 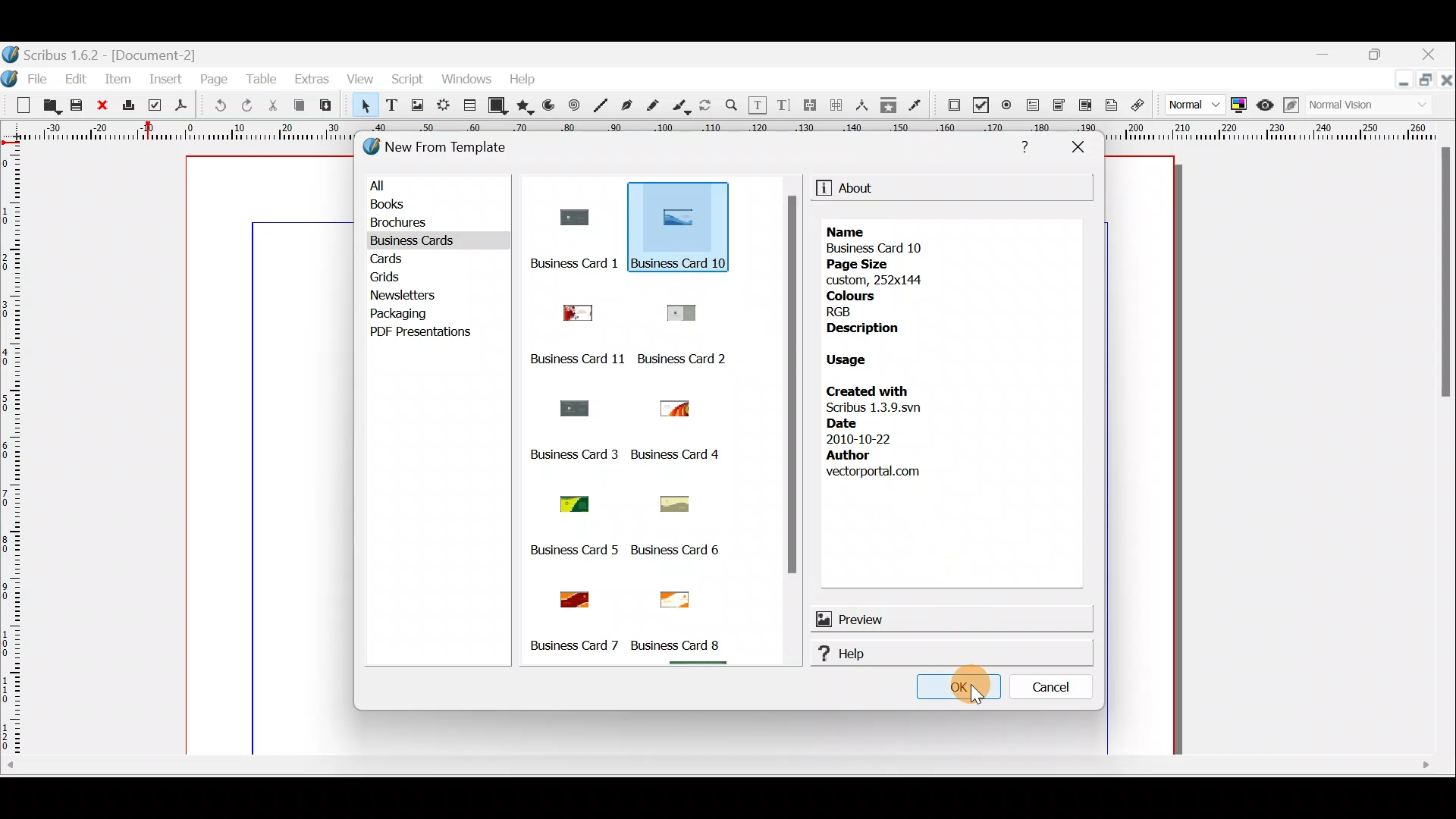 I want to click on Image preview quality, so click(x=1187, y=106).